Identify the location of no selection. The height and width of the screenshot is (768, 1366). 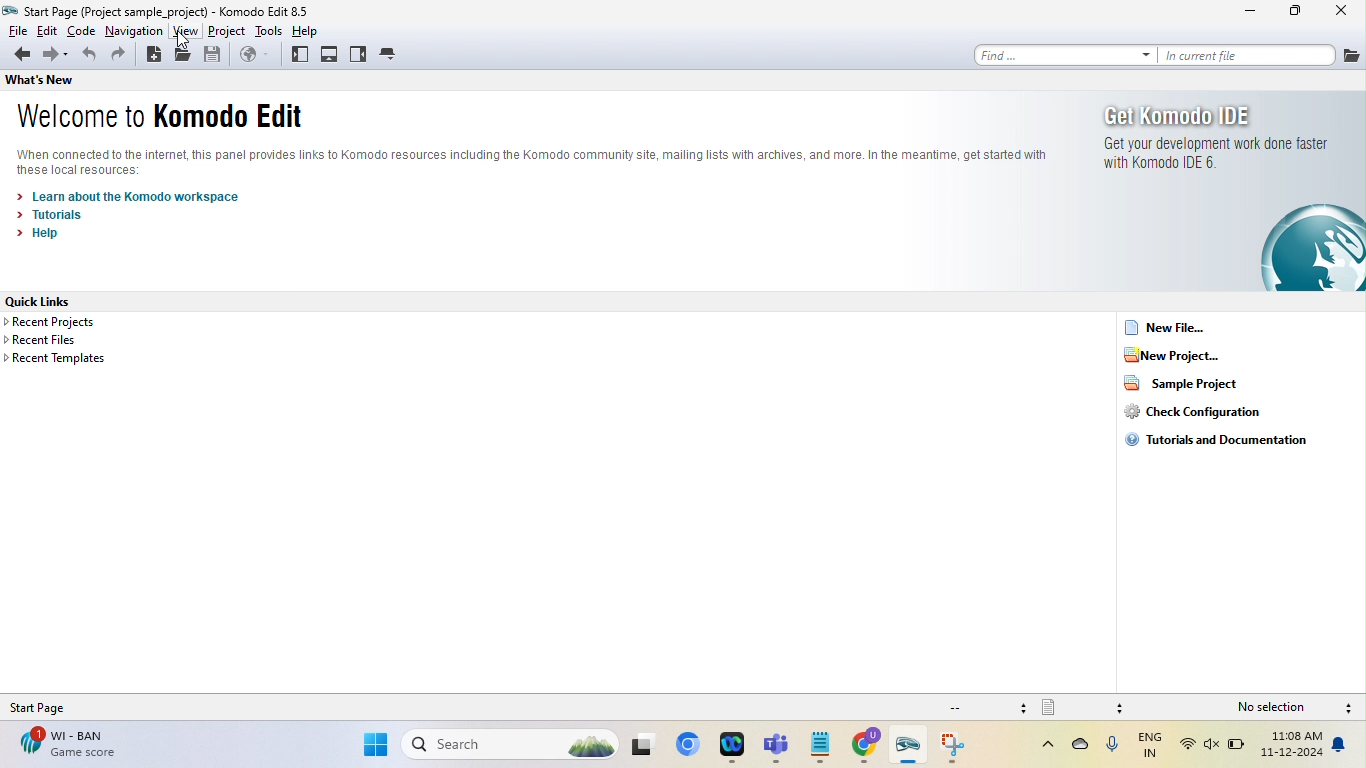
(1276, 708).